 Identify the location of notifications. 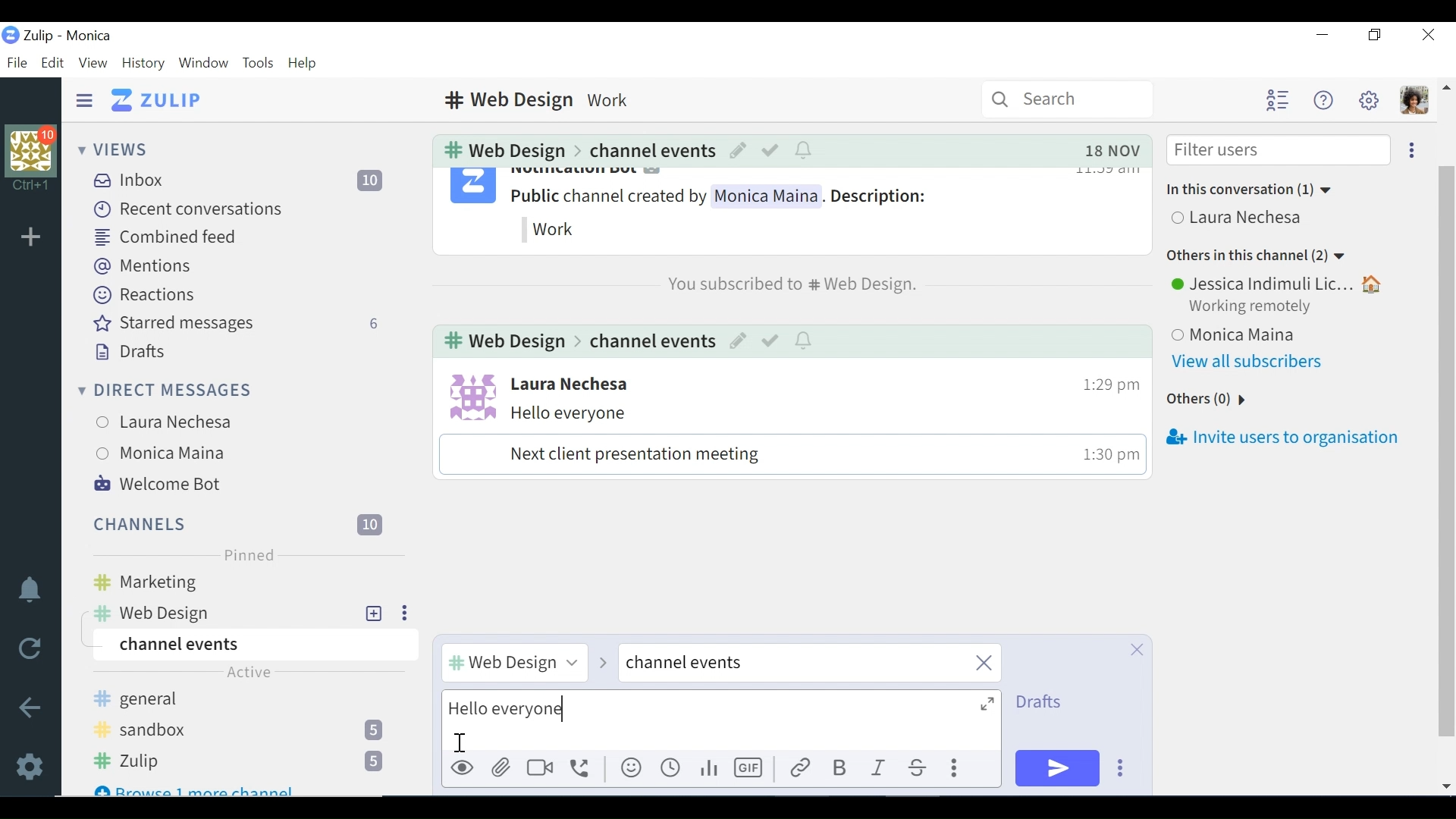
(805, 149).